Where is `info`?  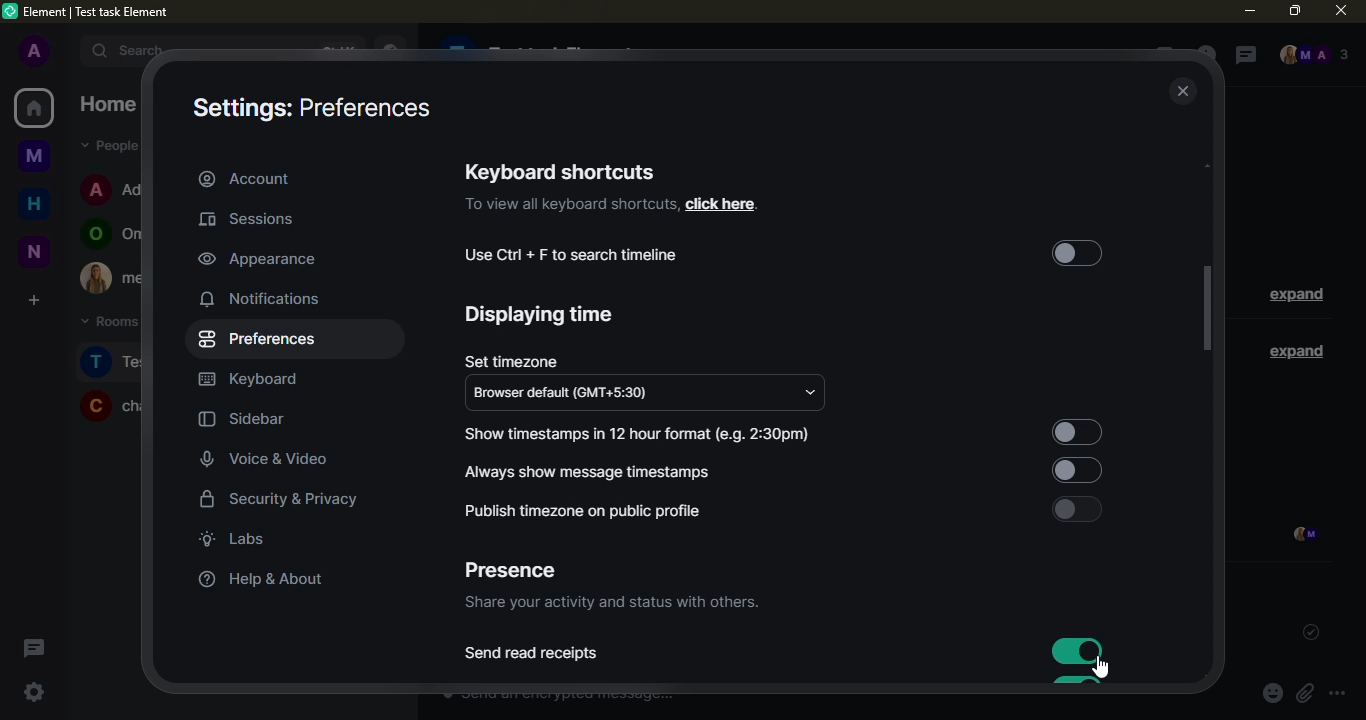 info is located at coordinates (570, 205).